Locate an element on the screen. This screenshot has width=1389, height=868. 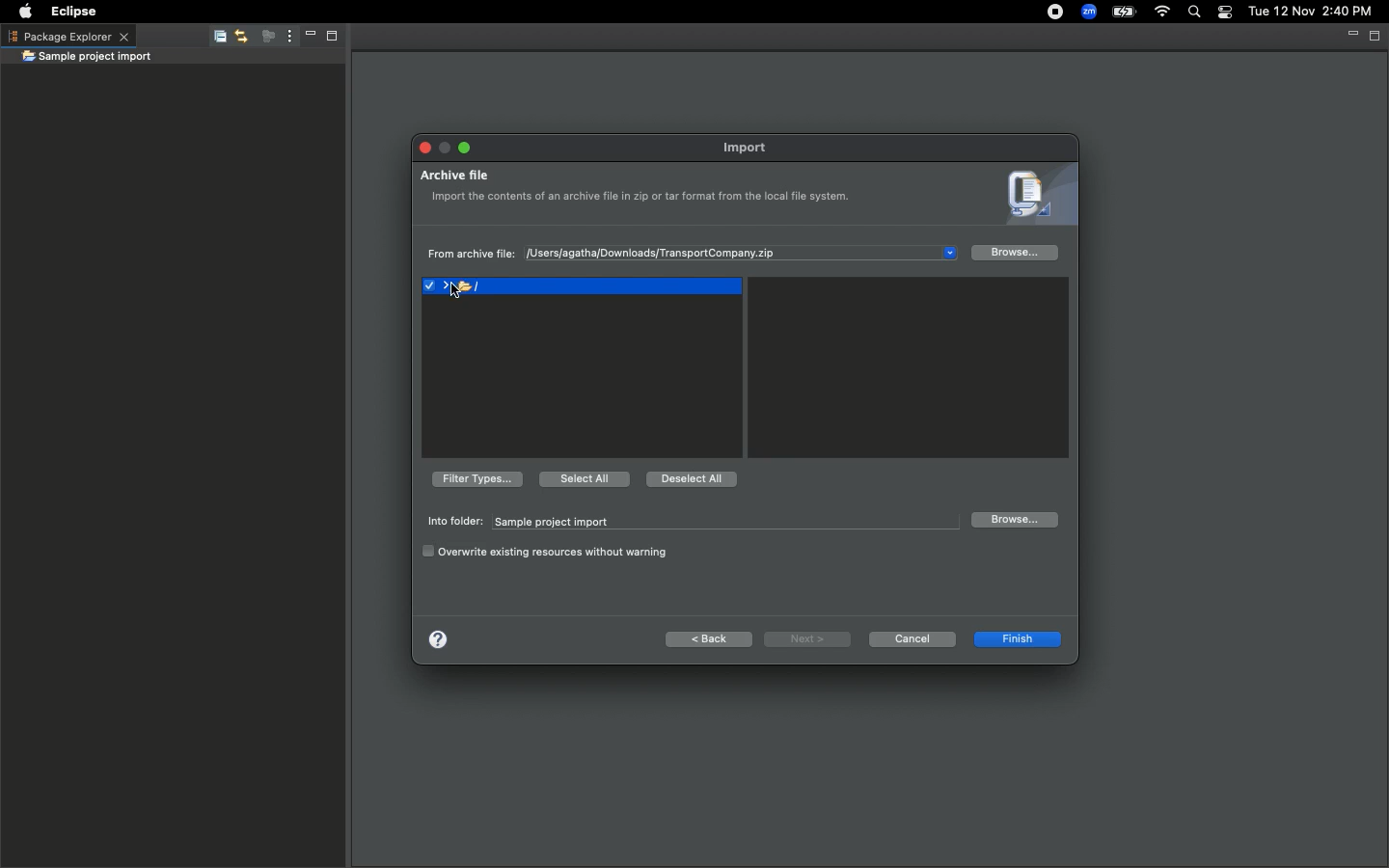
Browse is located at coordinates (1016, 255).